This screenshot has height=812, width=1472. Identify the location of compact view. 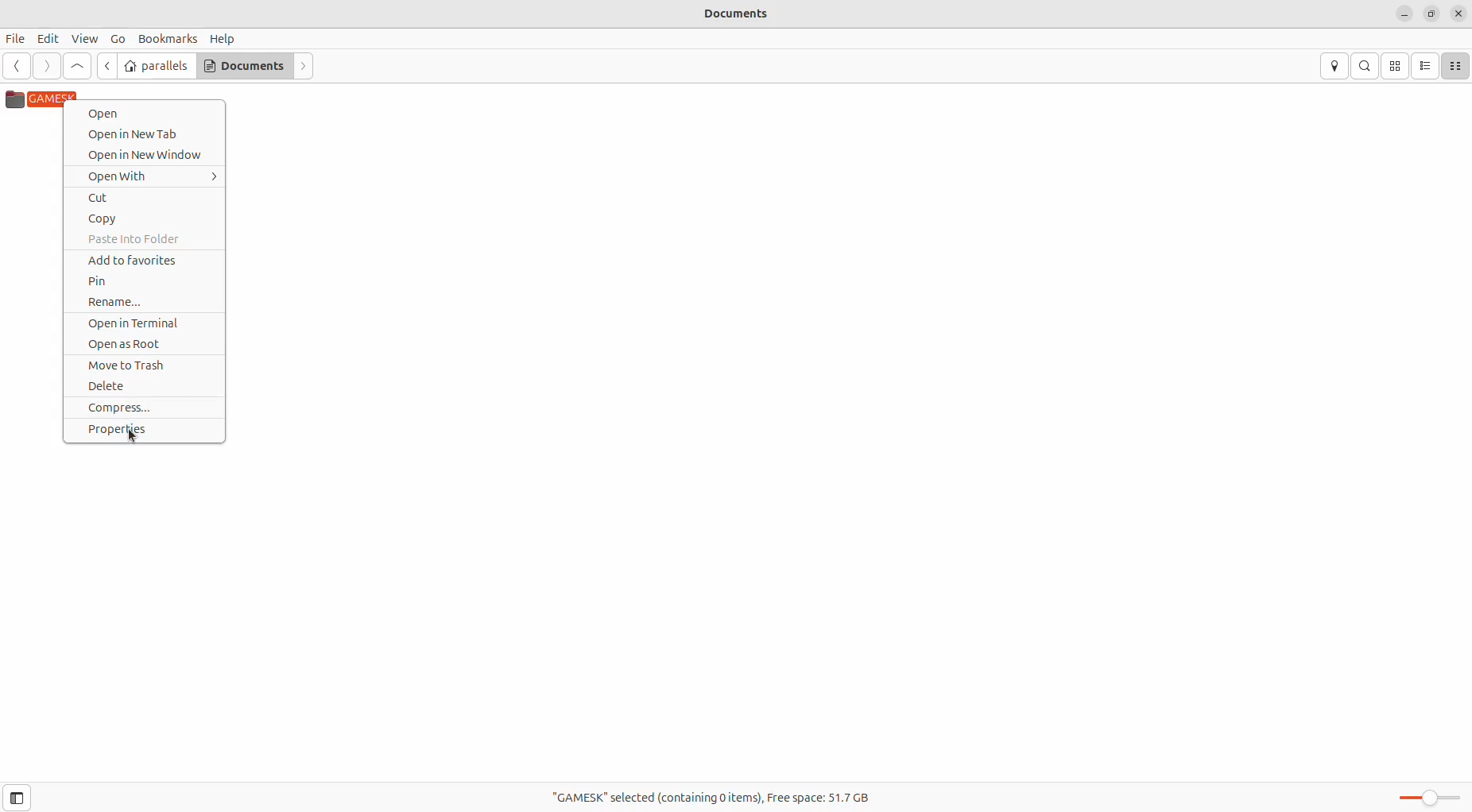
(1454, 68).